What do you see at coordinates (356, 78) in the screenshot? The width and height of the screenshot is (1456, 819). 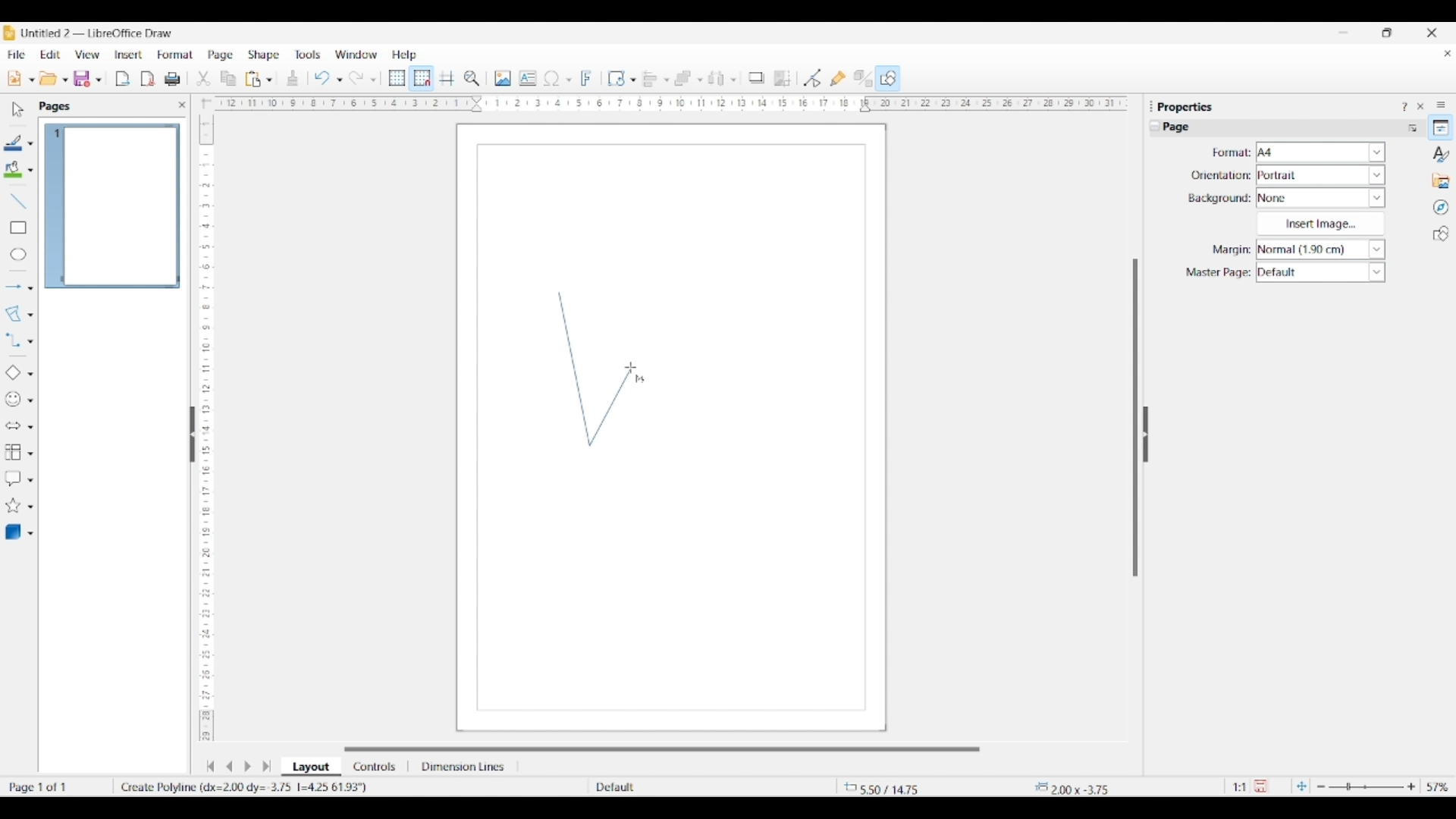 I see `Redo last action` at bounding box center [356, 78].